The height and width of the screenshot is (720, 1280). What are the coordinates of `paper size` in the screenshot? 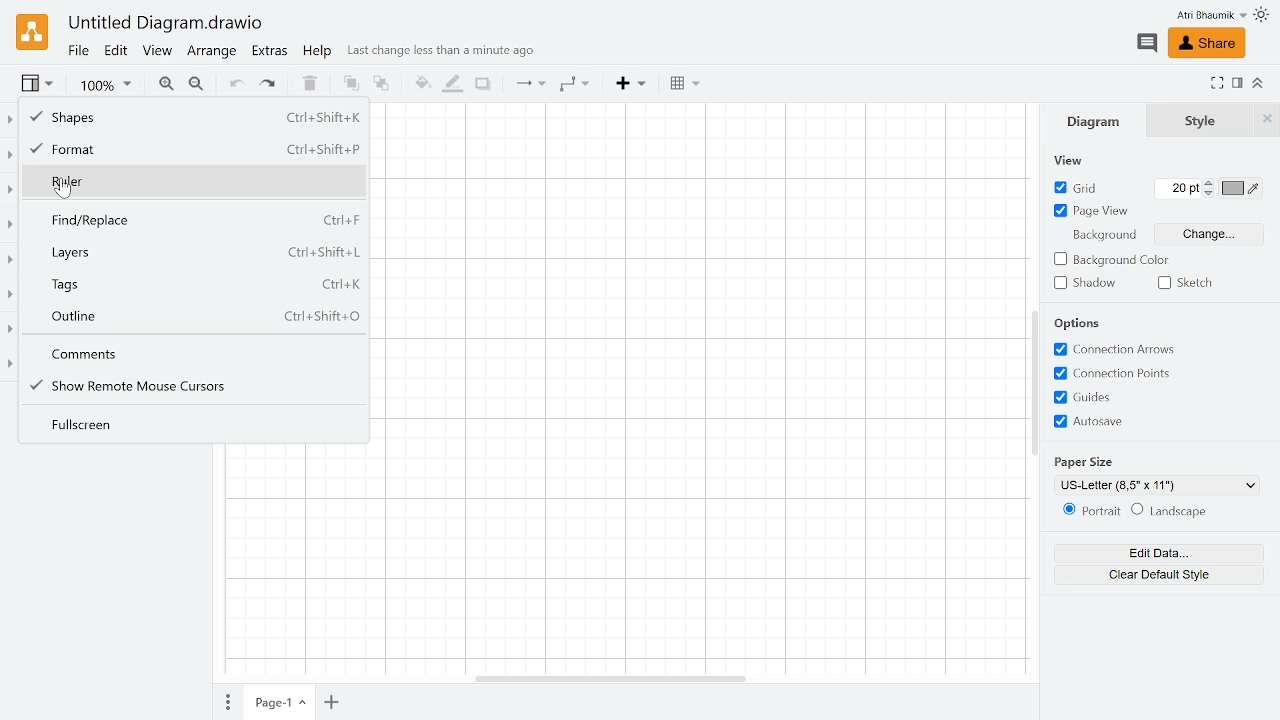 It's located at (1106, 458).